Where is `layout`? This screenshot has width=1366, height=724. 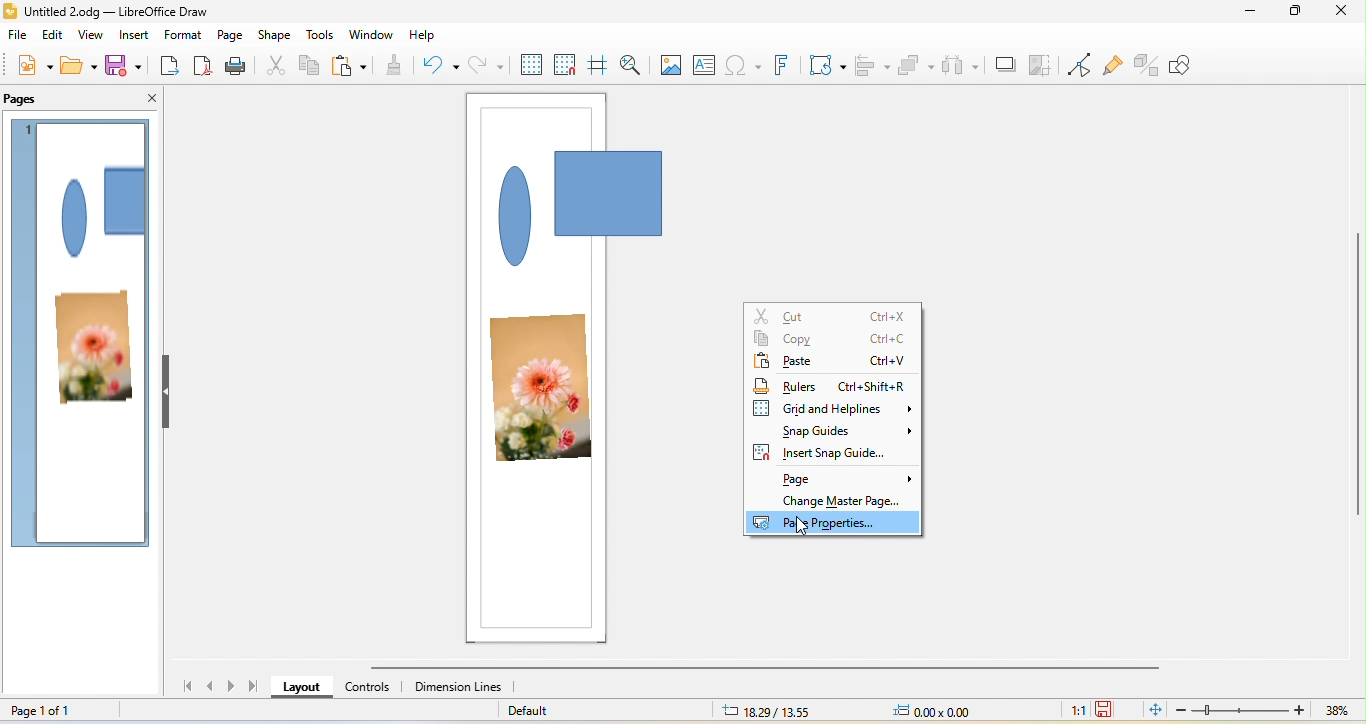 layout is located at coordinates (299, 688).